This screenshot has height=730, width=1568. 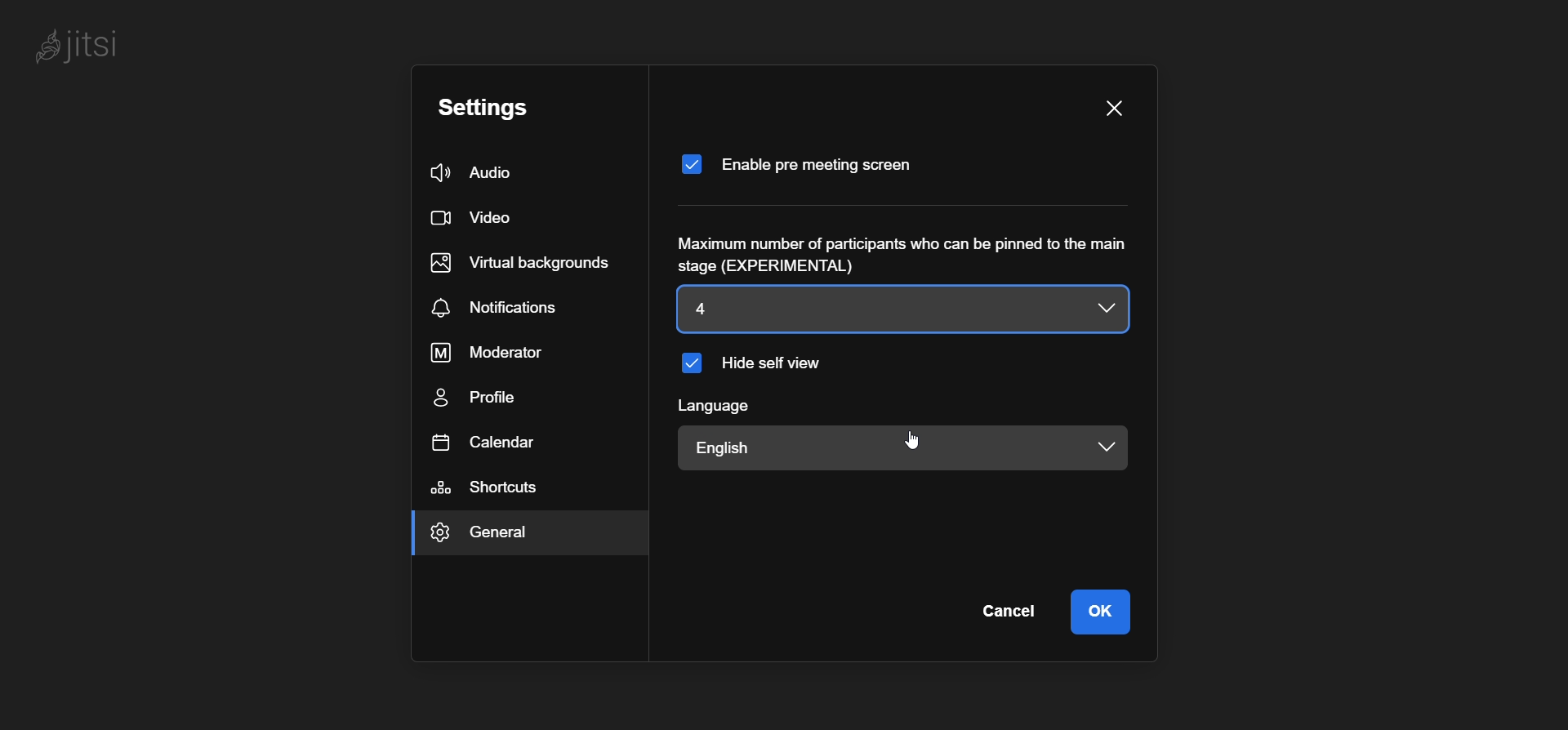 I want to click on calendar, so click(x=484, y=441).